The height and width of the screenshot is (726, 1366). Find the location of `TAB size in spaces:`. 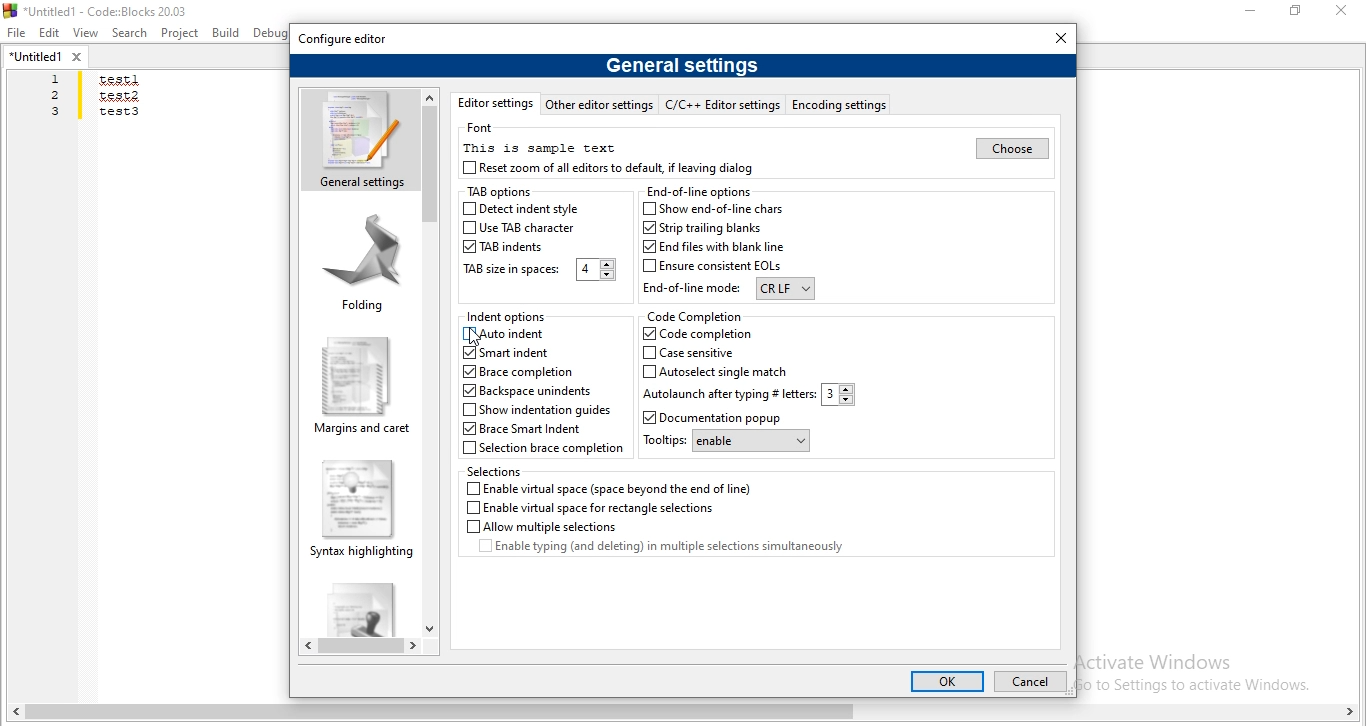

TAB size in spaces: is located at coordinates (537, 270).